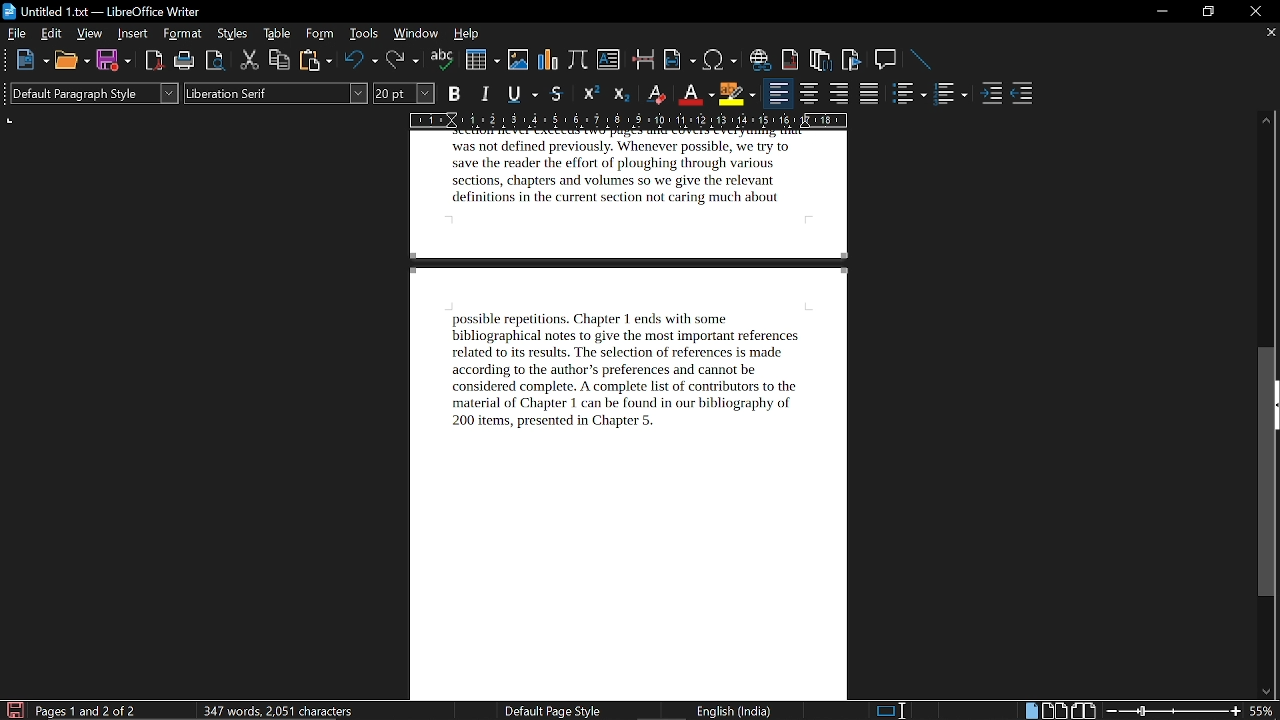 The image size is (1280, 720). I want to click on eraser, so click(657, 93).